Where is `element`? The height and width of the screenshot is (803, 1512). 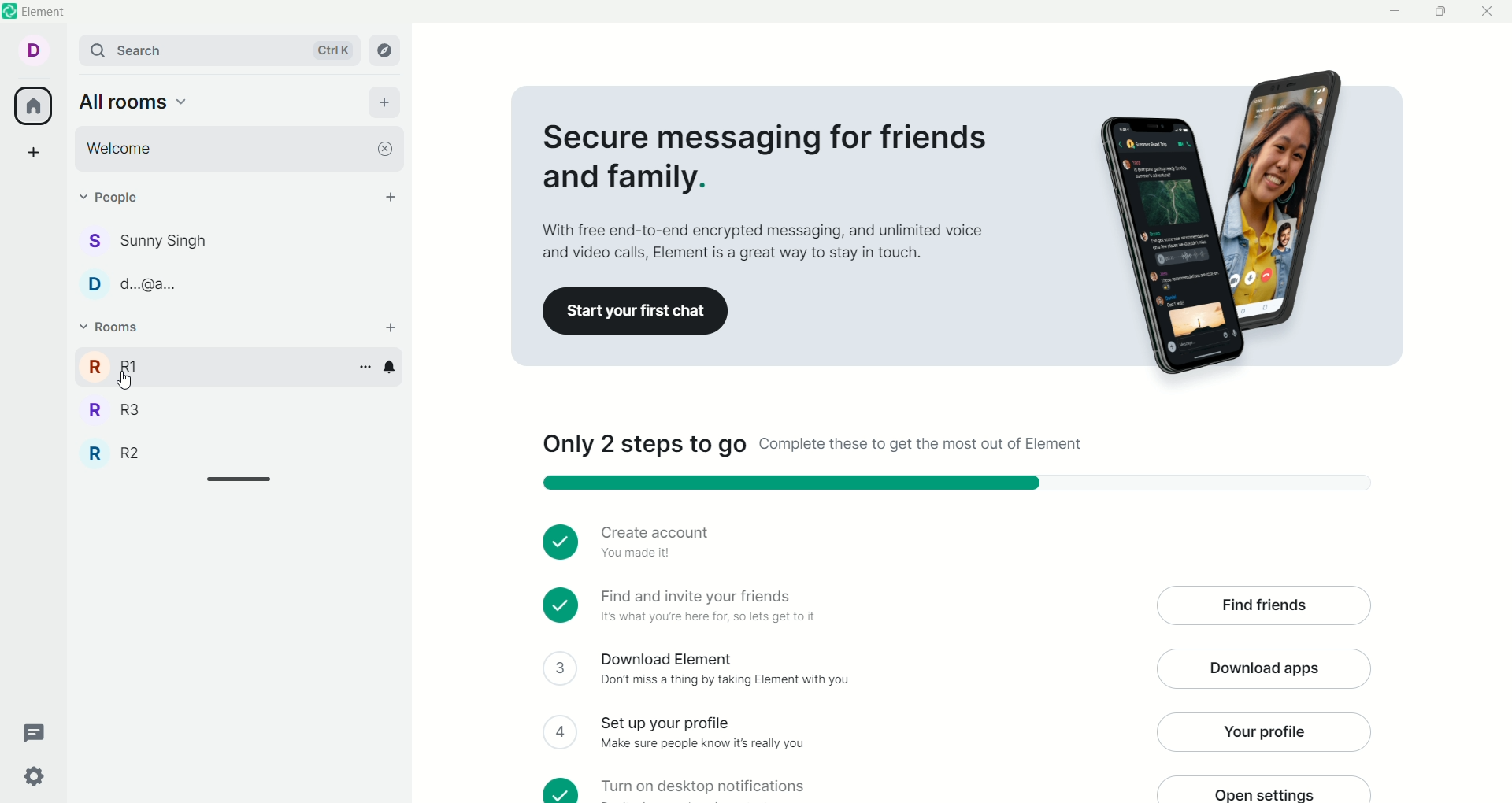 element is located at coordinates (44, 12).